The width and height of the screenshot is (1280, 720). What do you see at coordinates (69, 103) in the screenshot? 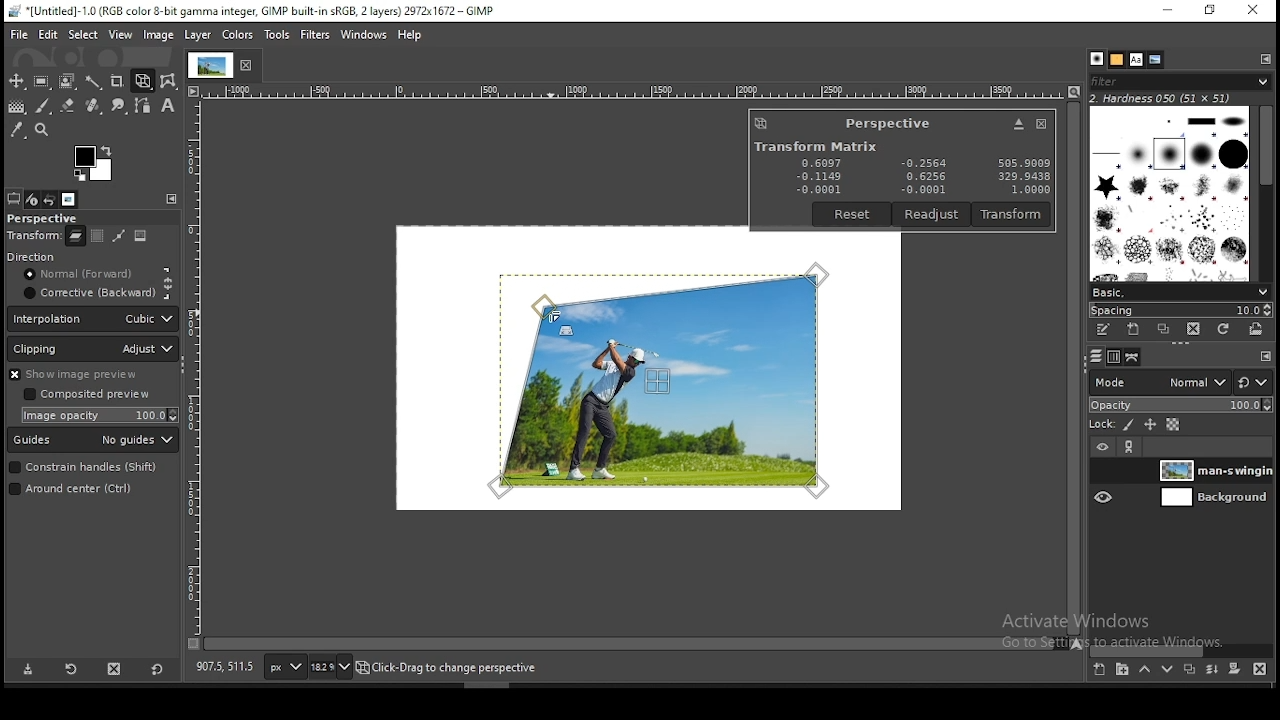
I see `eraser tool` at bounding box center [69, 103].